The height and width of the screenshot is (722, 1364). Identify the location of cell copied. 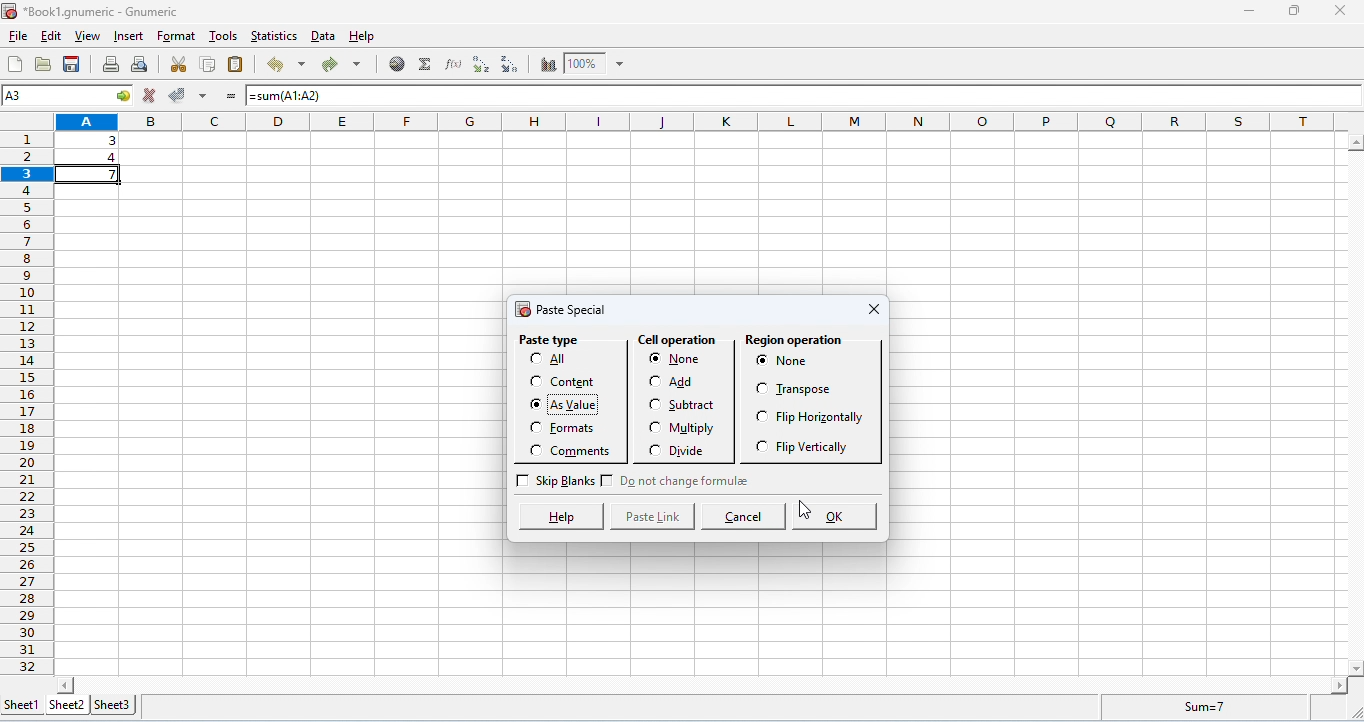
(90, 173).